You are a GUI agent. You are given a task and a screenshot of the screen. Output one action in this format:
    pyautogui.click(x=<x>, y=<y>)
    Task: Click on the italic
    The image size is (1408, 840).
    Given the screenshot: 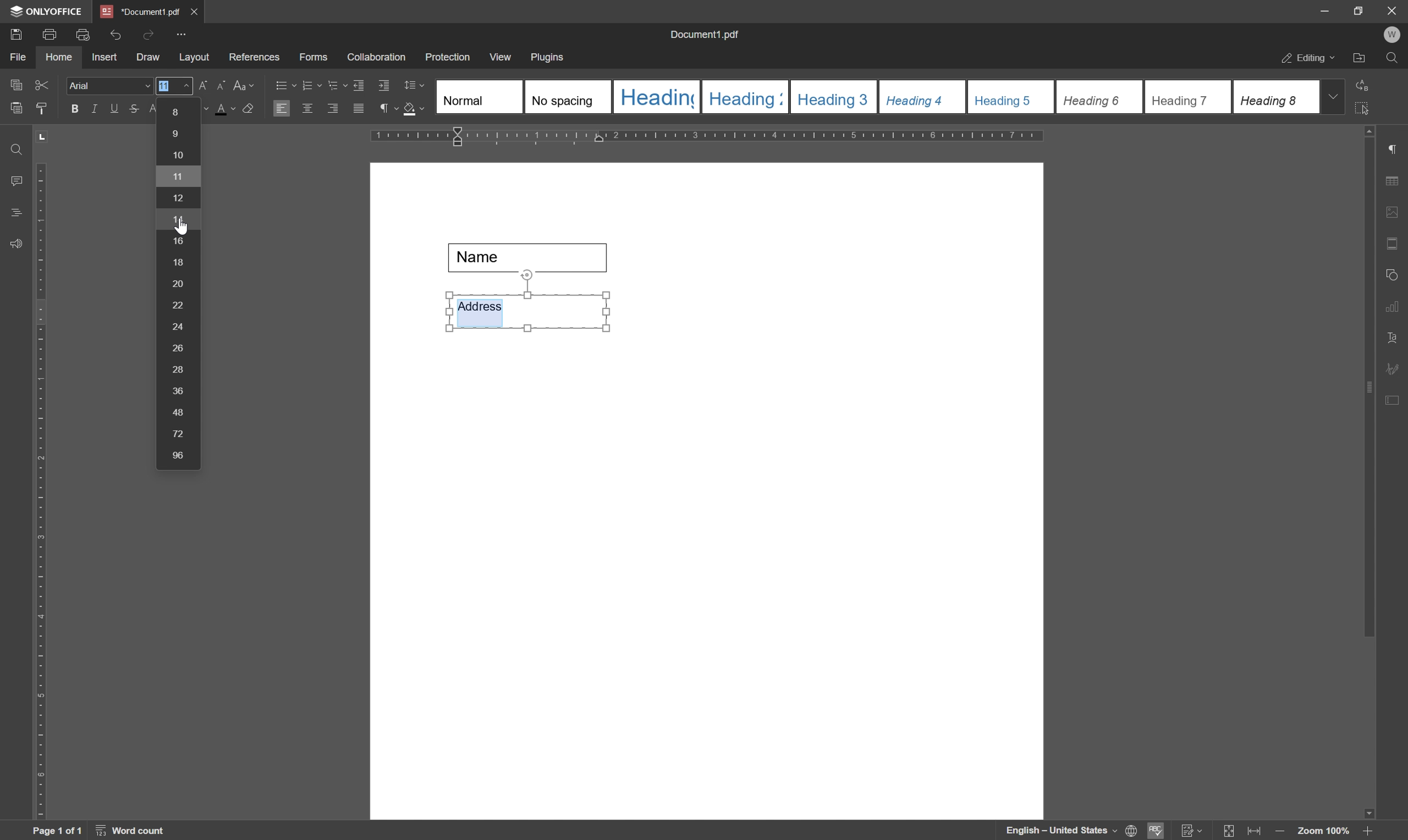 What is the action you would take?
    pyautogui.click(x=92, y=108)
    